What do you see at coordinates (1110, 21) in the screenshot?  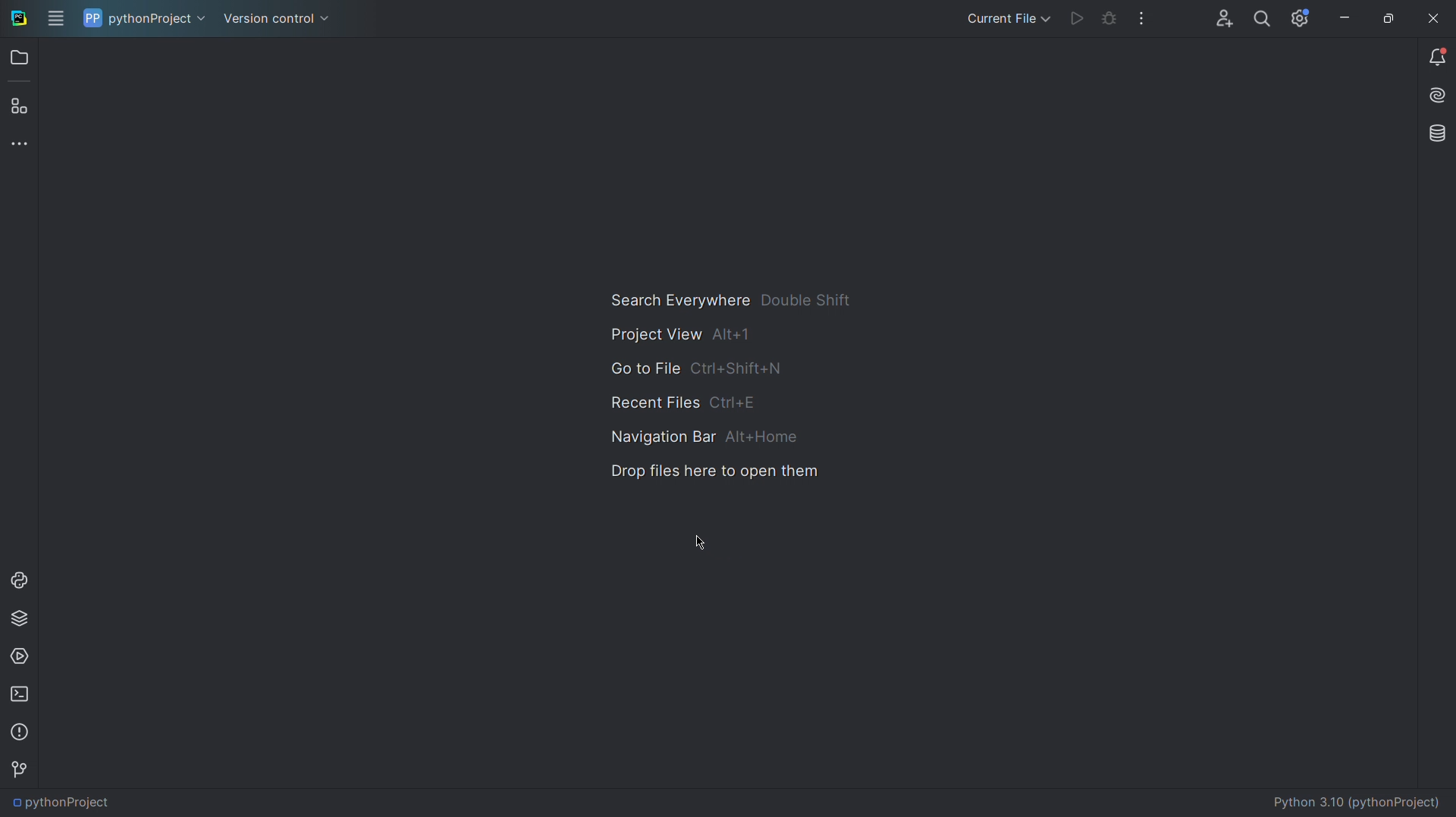 I see `check bugs` at bounding box center [1110, 21].